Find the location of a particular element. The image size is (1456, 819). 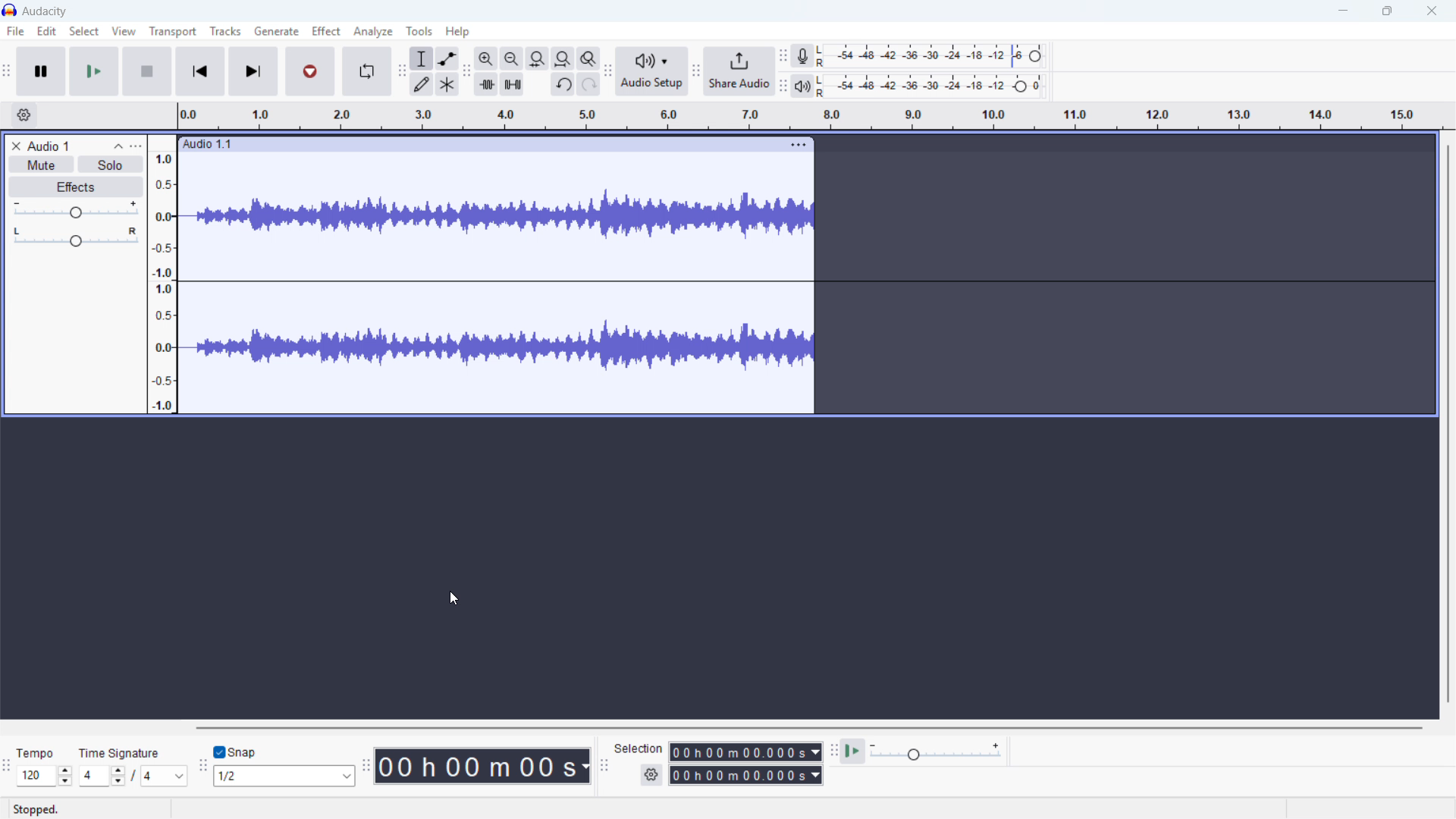

close  is located at coordinates (1432, 11).